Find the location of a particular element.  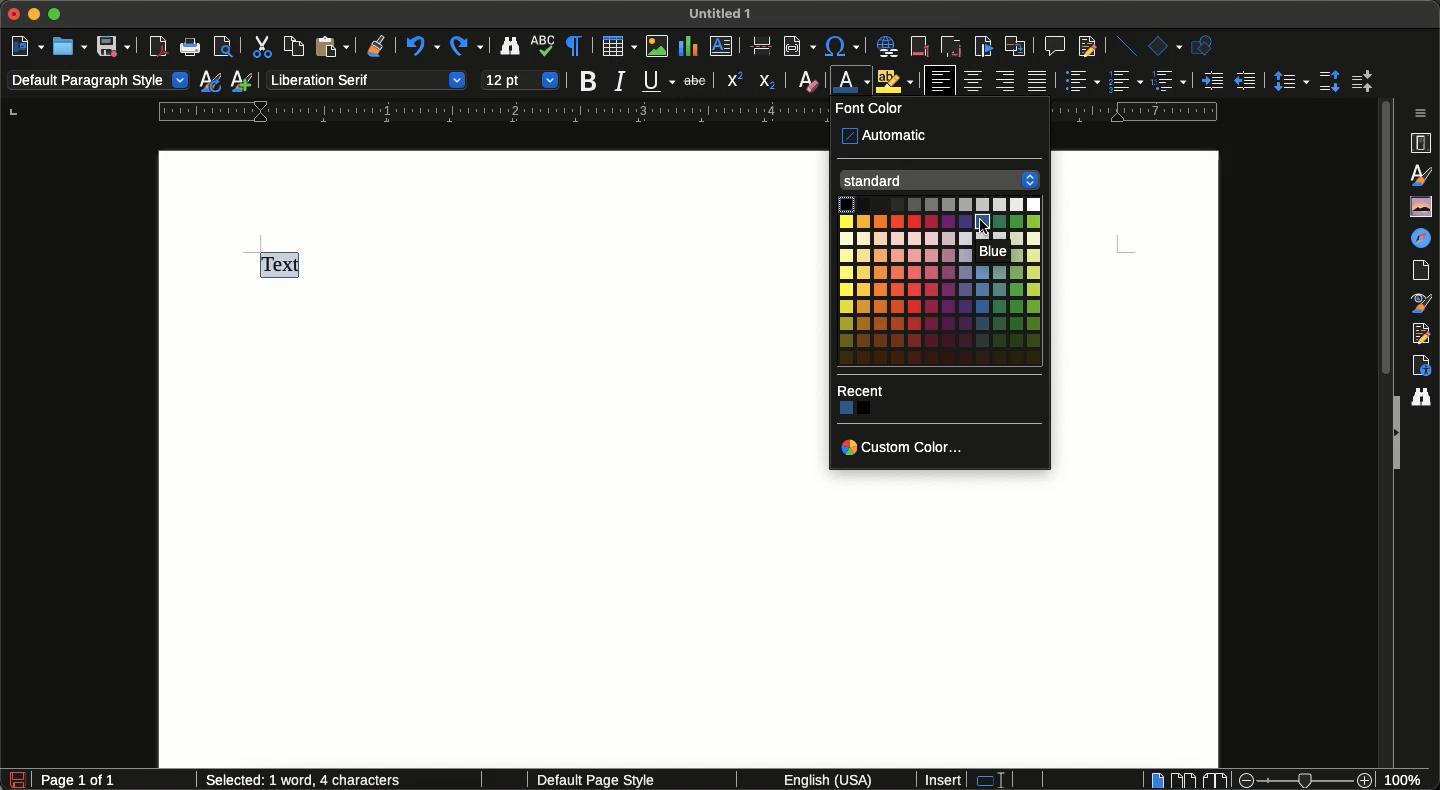

Insert line is located at coordinates (1126, 46).